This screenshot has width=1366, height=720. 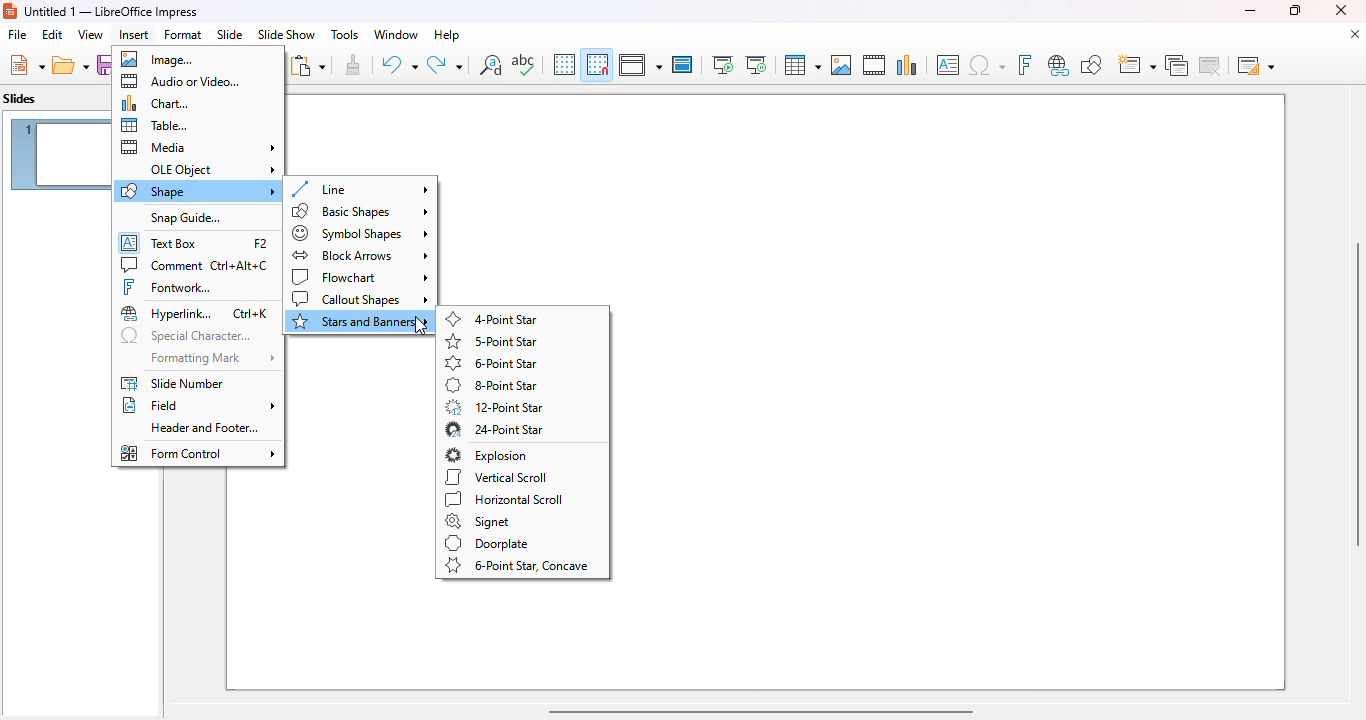 What do you see at coordinates (211, 359) in the screenshot?
I see `formatting mark` at bounding box center [211, 359].